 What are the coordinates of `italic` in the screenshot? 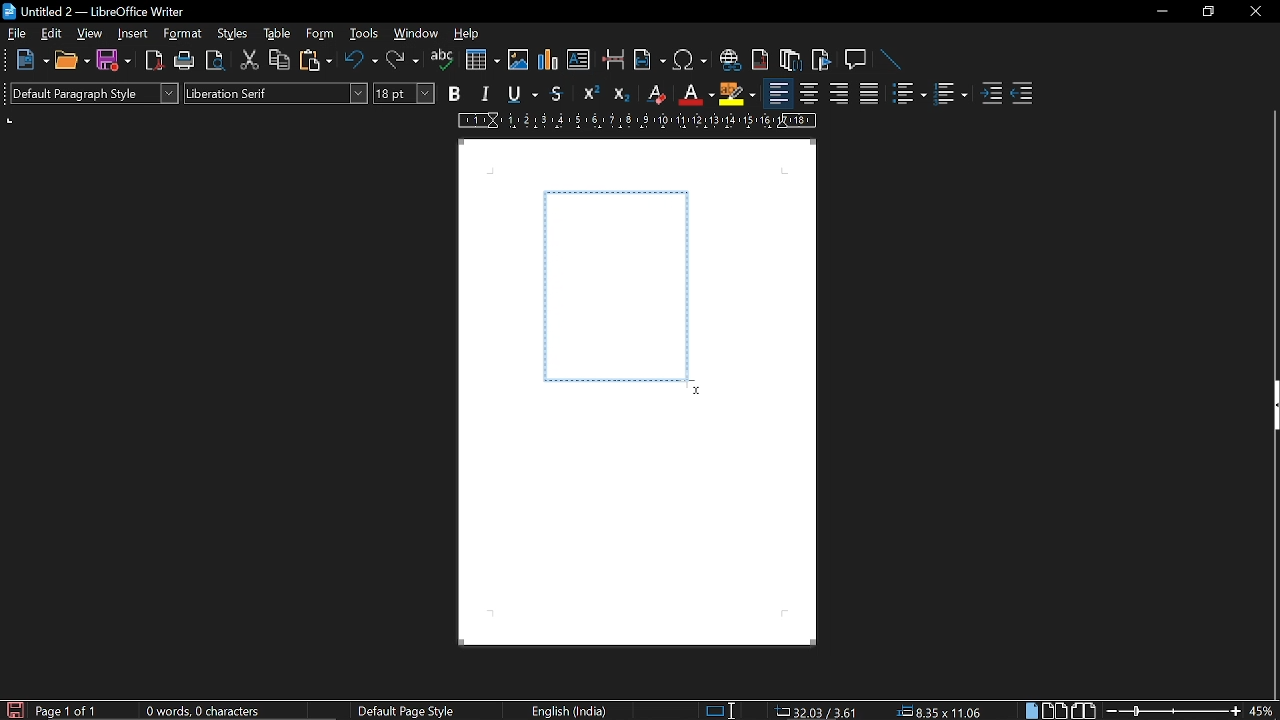 It's located at (482, 95).